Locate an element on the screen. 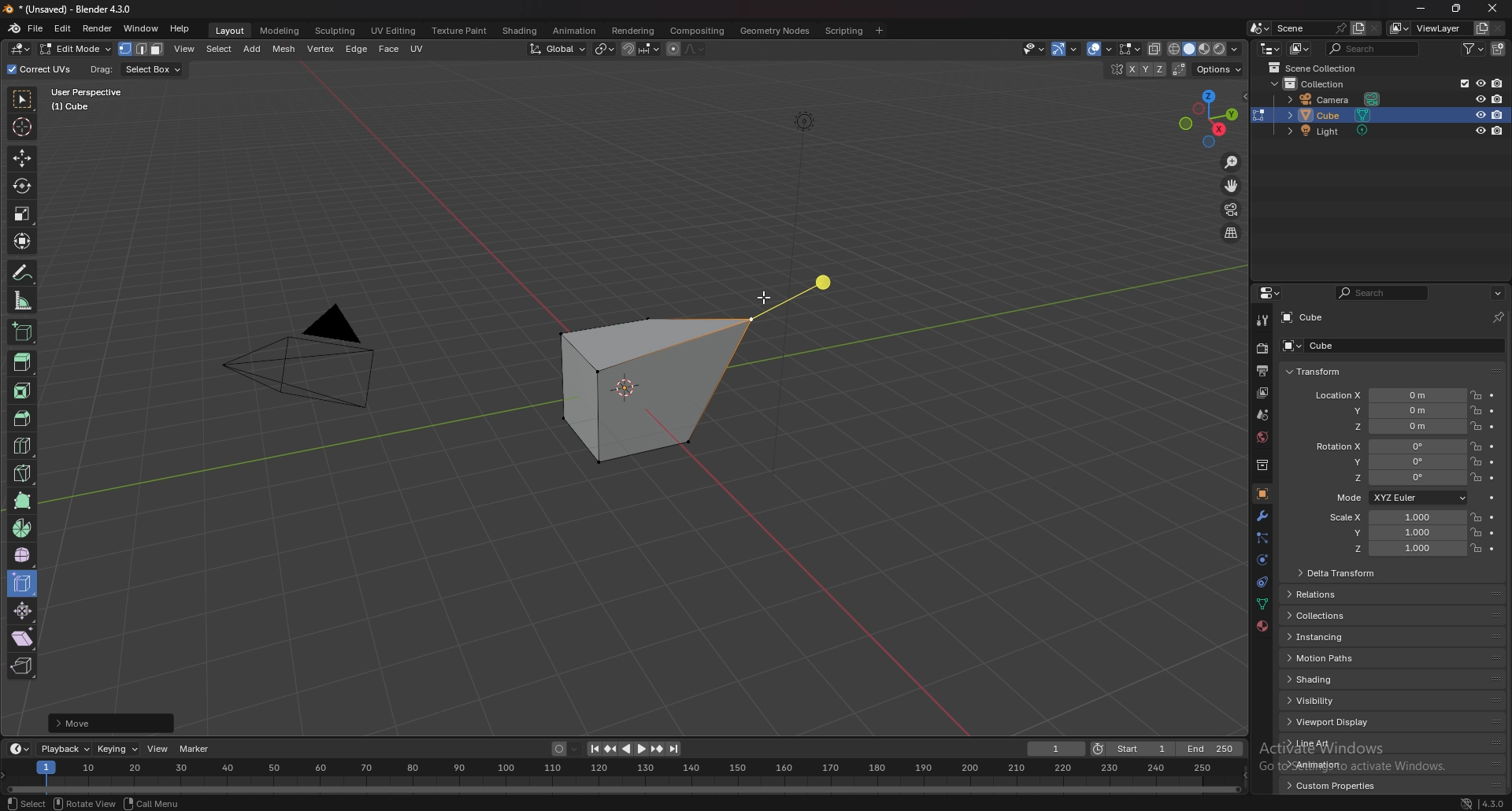 This screenshot has width=1512, height=811. minimize is located at coordinates (1421, 9).